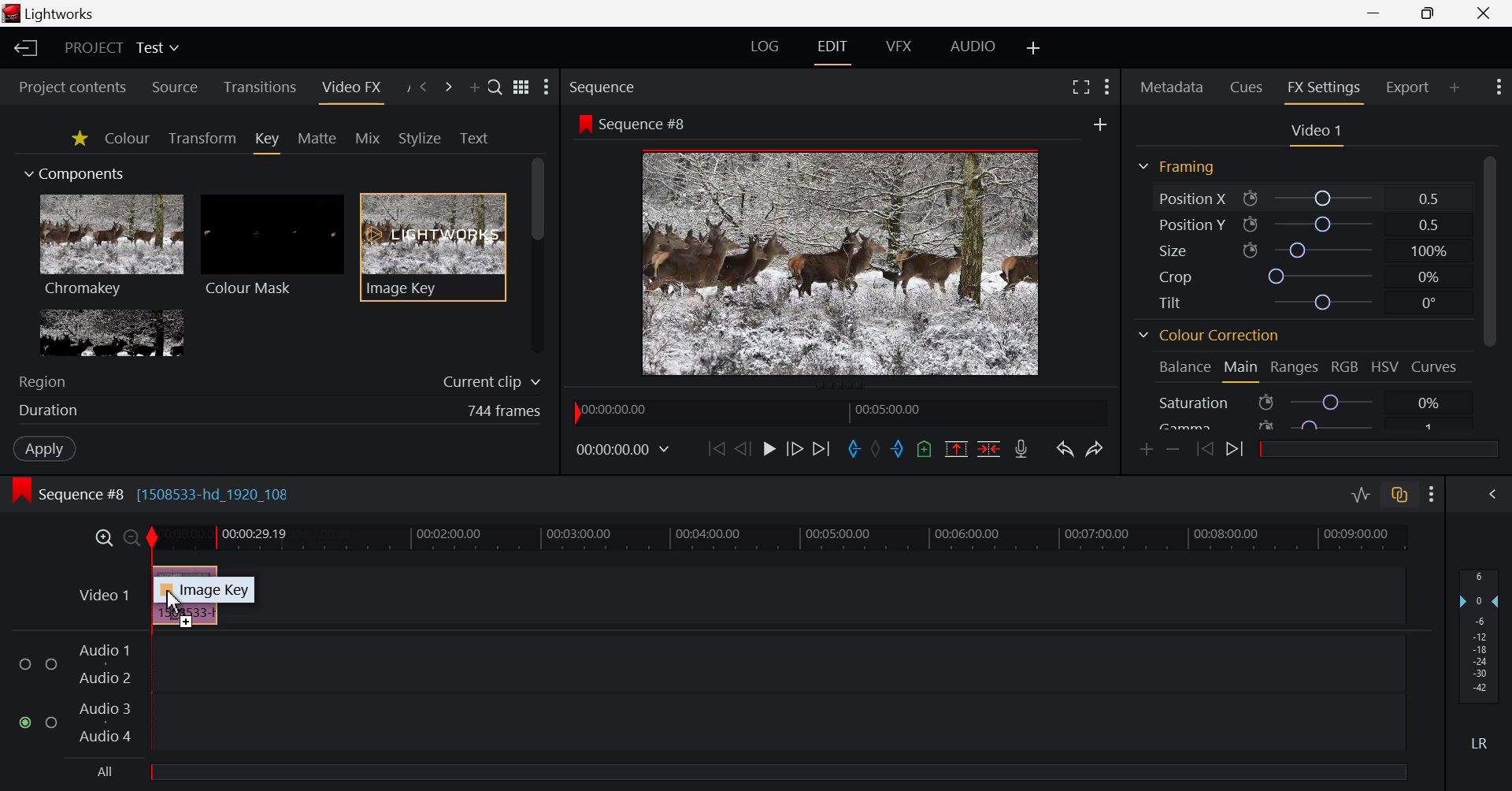  Describe the element at coordinates (1429, 199) in the screenshot. I see `0.5` at that location.